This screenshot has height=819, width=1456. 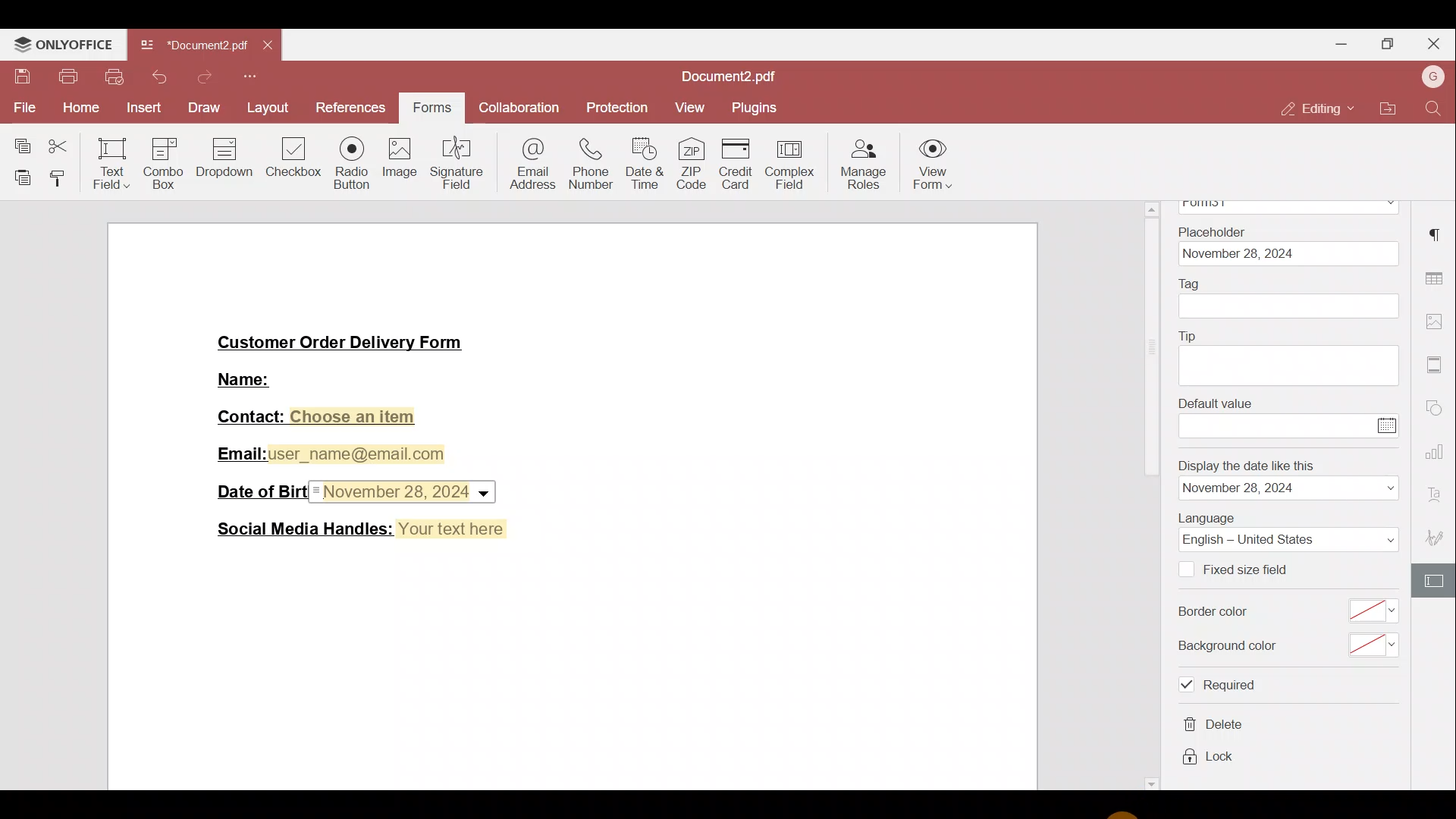 What do you see at coordinates (265, 46) in the screenshot?
I see `Close tab` at bounding box center [265, 46].